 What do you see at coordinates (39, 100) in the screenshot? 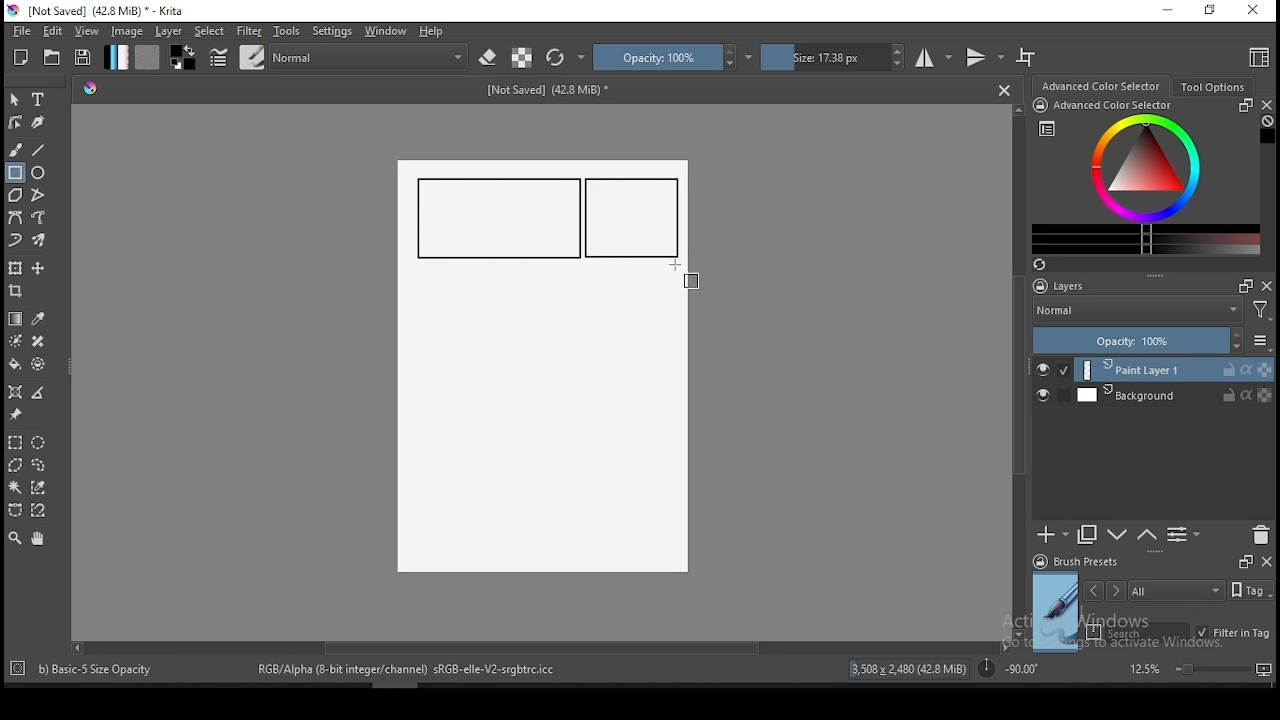
I see `text tool` at bounding box center [39, 100].